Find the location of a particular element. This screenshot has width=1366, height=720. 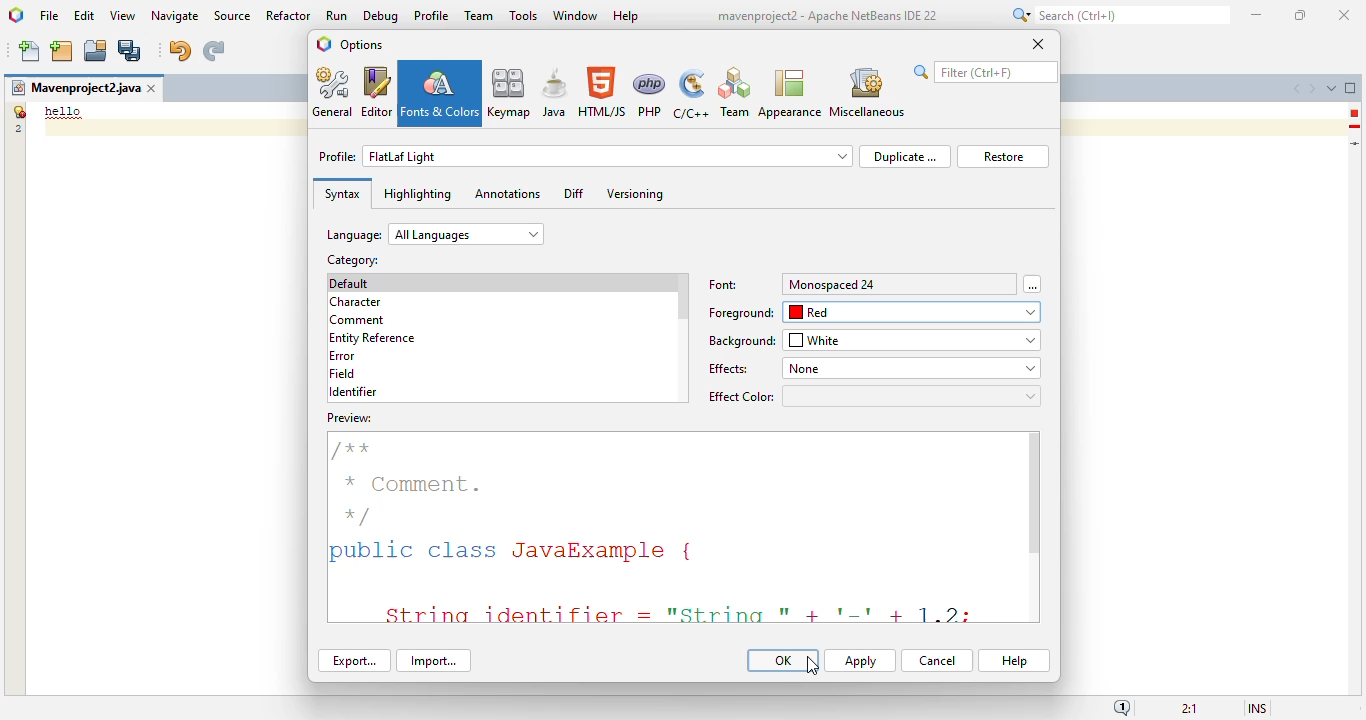

cancel is located at coordinates (937, 661).